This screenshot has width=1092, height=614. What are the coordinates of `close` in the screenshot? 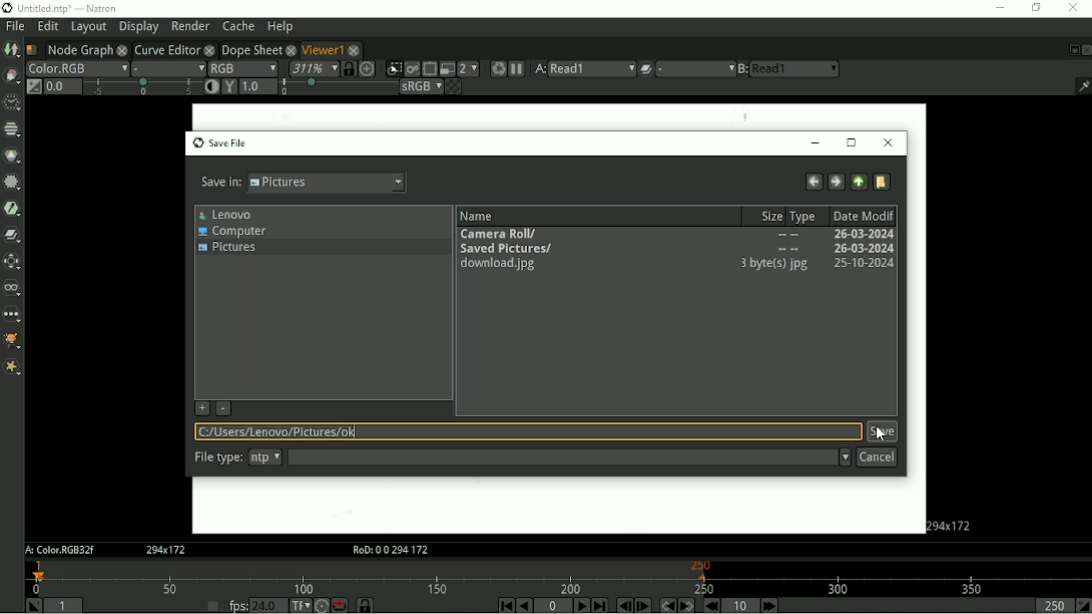 It's located at (291, 50).